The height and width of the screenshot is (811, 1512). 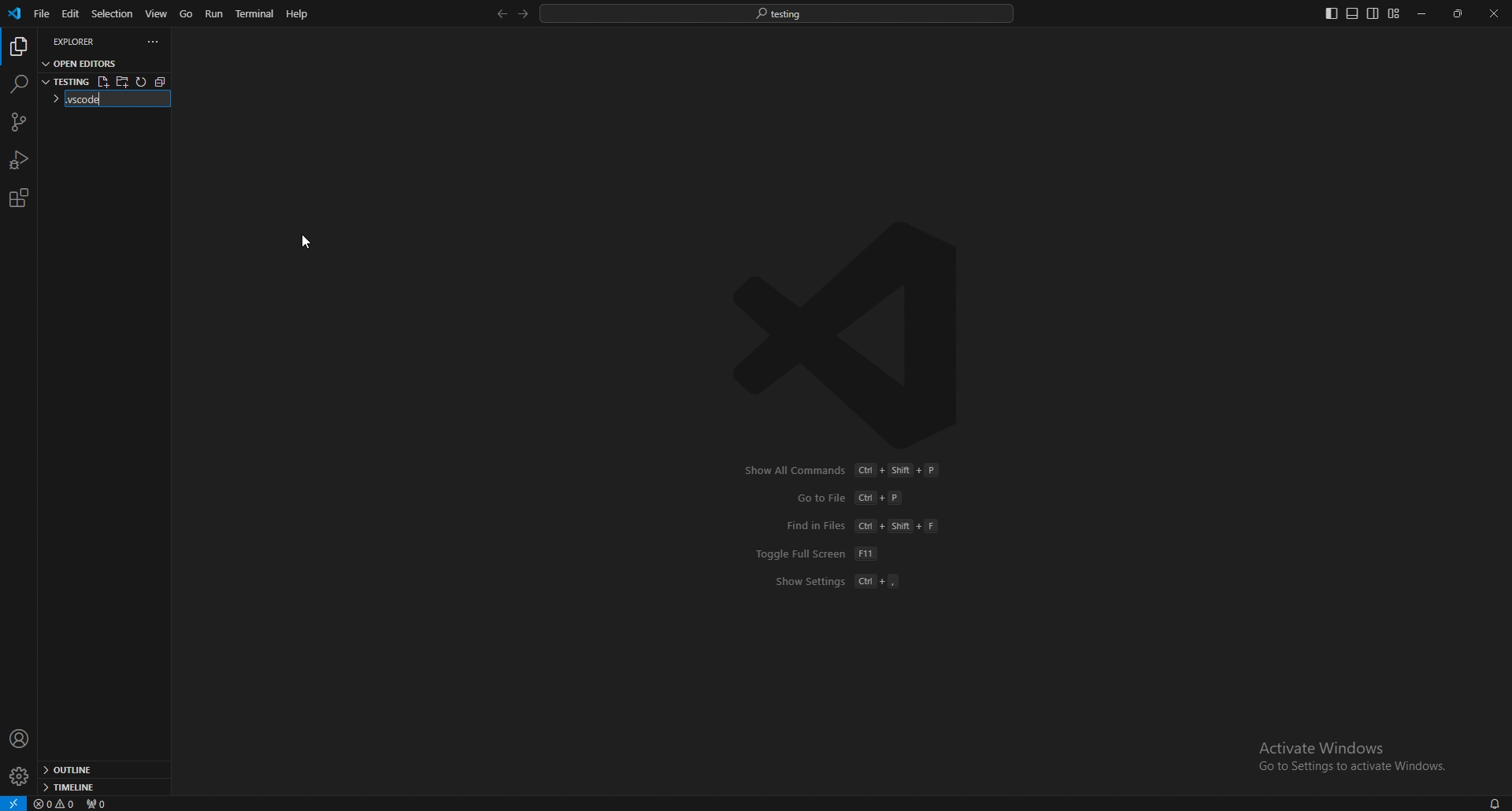 I want to click on open editors, so click(x=82, y=62).